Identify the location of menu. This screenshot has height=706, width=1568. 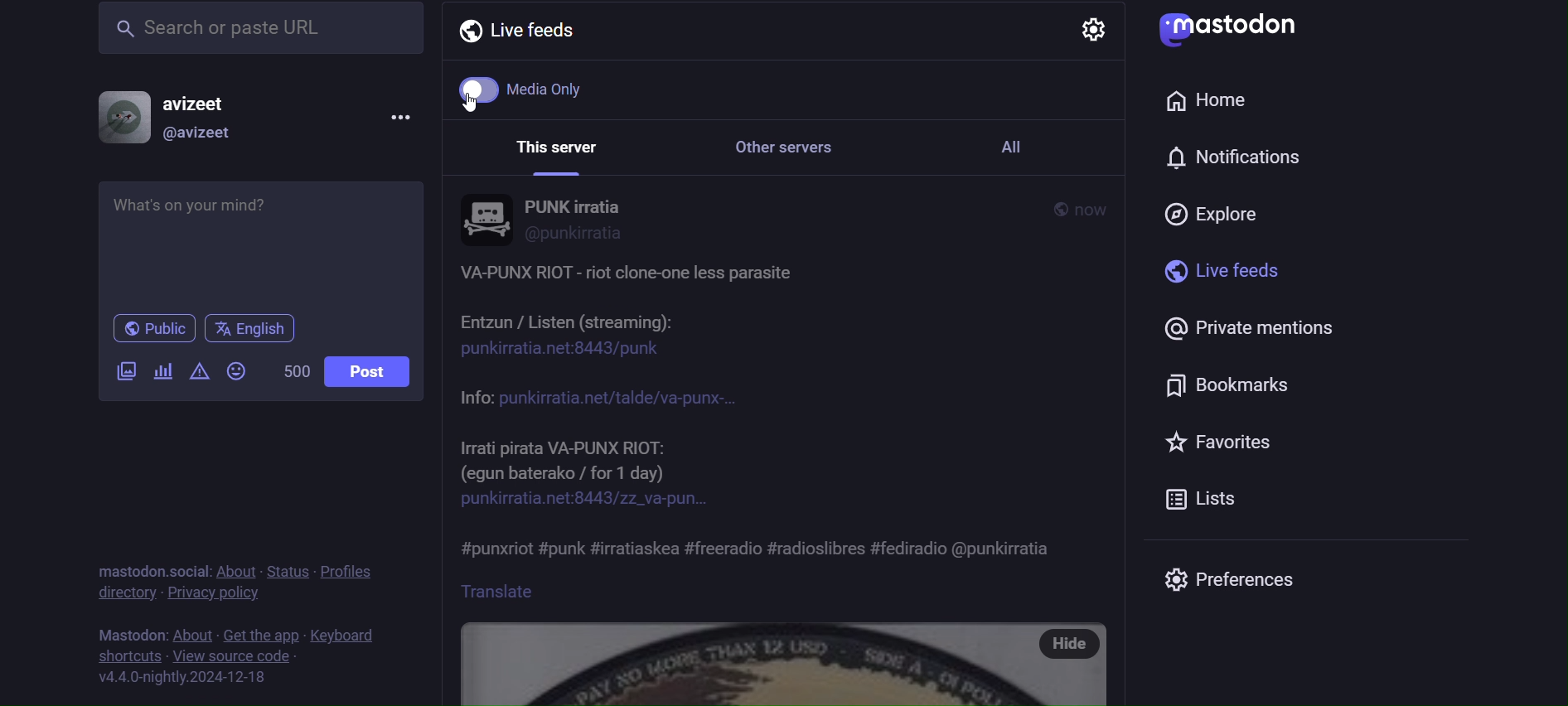
(405, 116).